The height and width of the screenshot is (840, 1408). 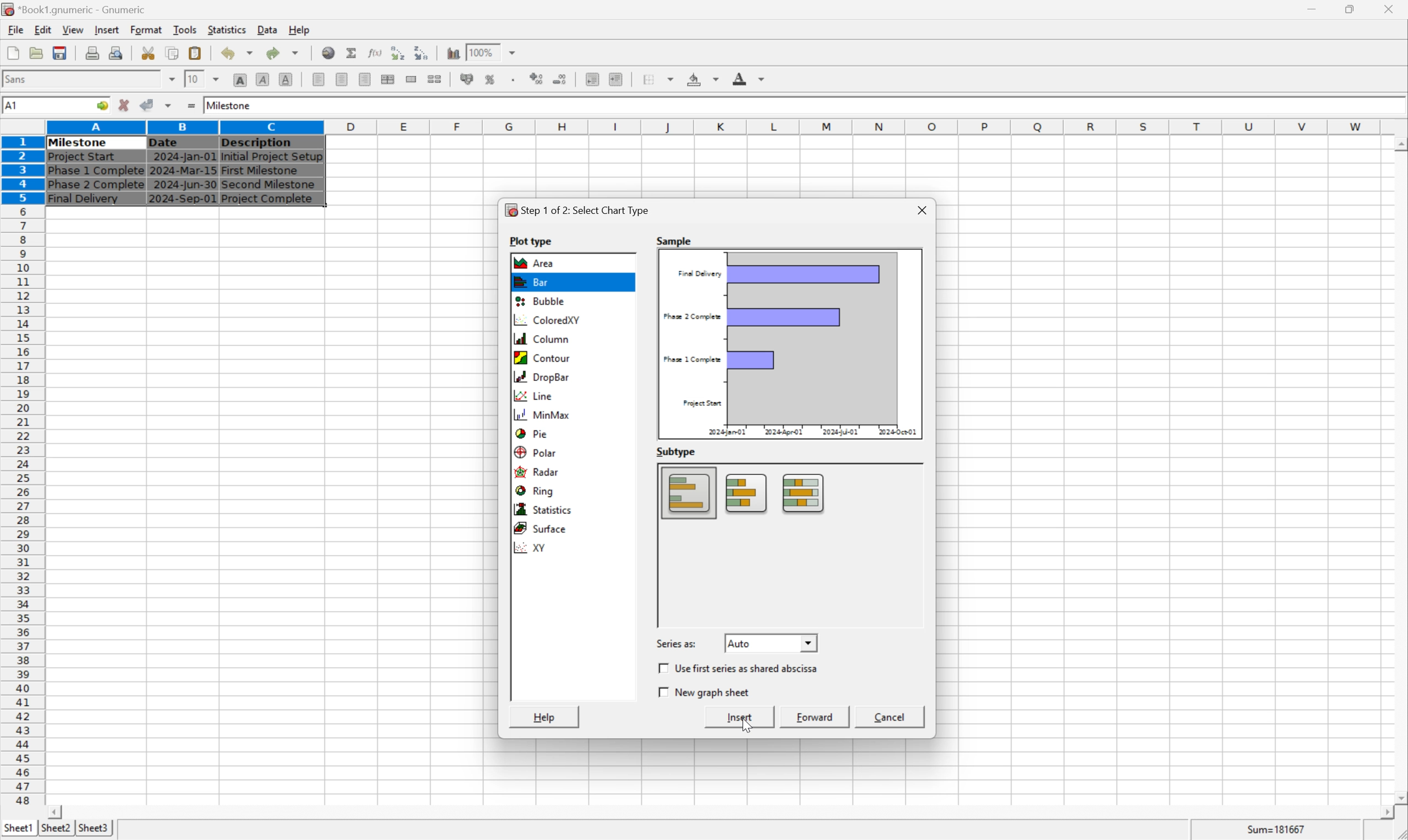 What do you see at coordinates (546, 528) in the screenshot?
I see `surface` at bounding box center [546, 528].